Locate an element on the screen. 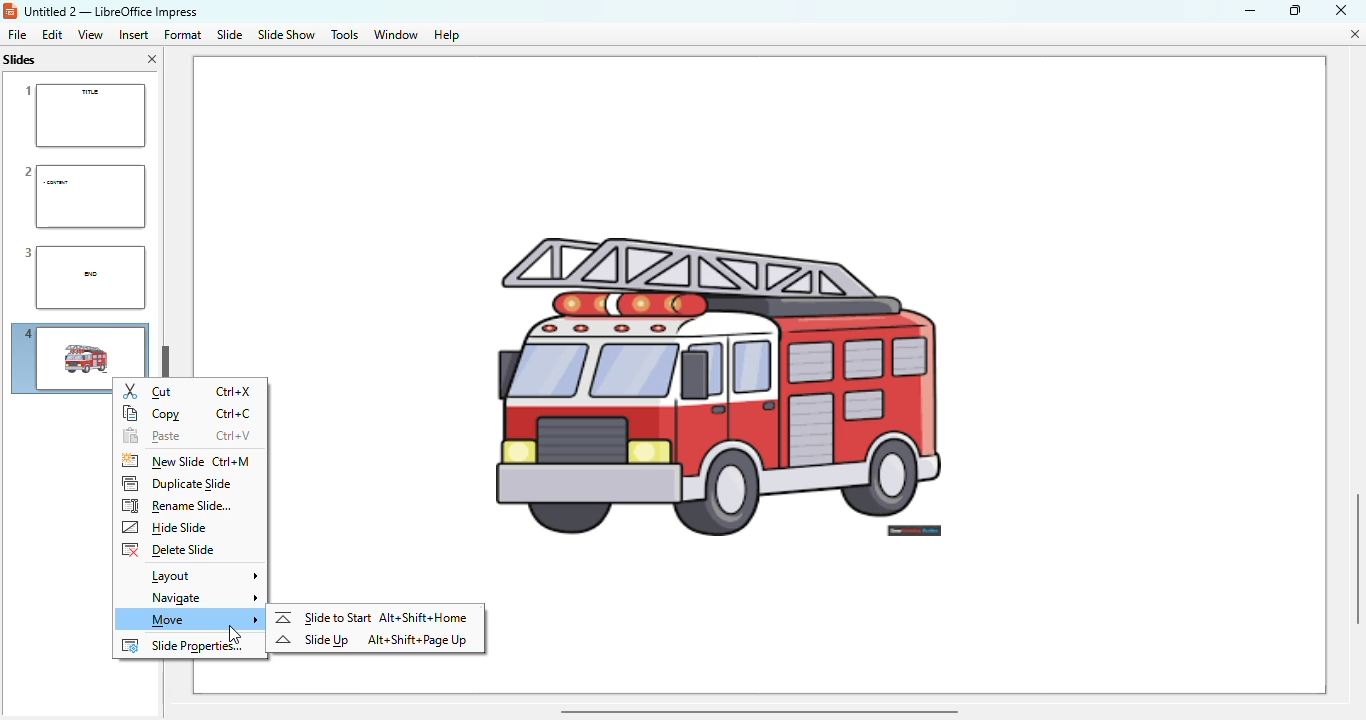 This screenshot has width=1366, height=720. shortcut for copy is located at coordinates (233, 414).